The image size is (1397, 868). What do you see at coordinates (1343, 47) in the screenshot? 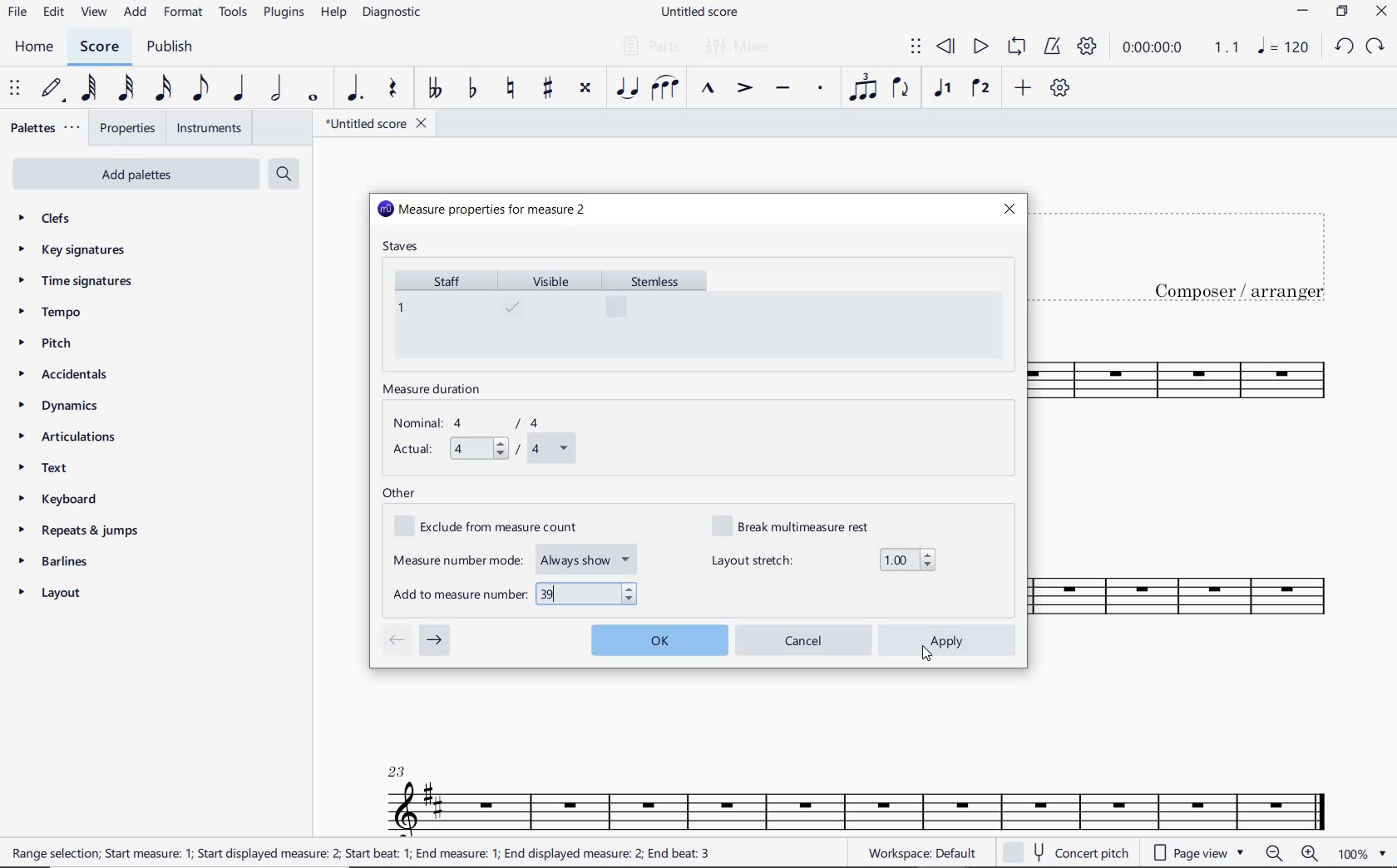
I see `UNDO` at bounding box center [1343, 47].